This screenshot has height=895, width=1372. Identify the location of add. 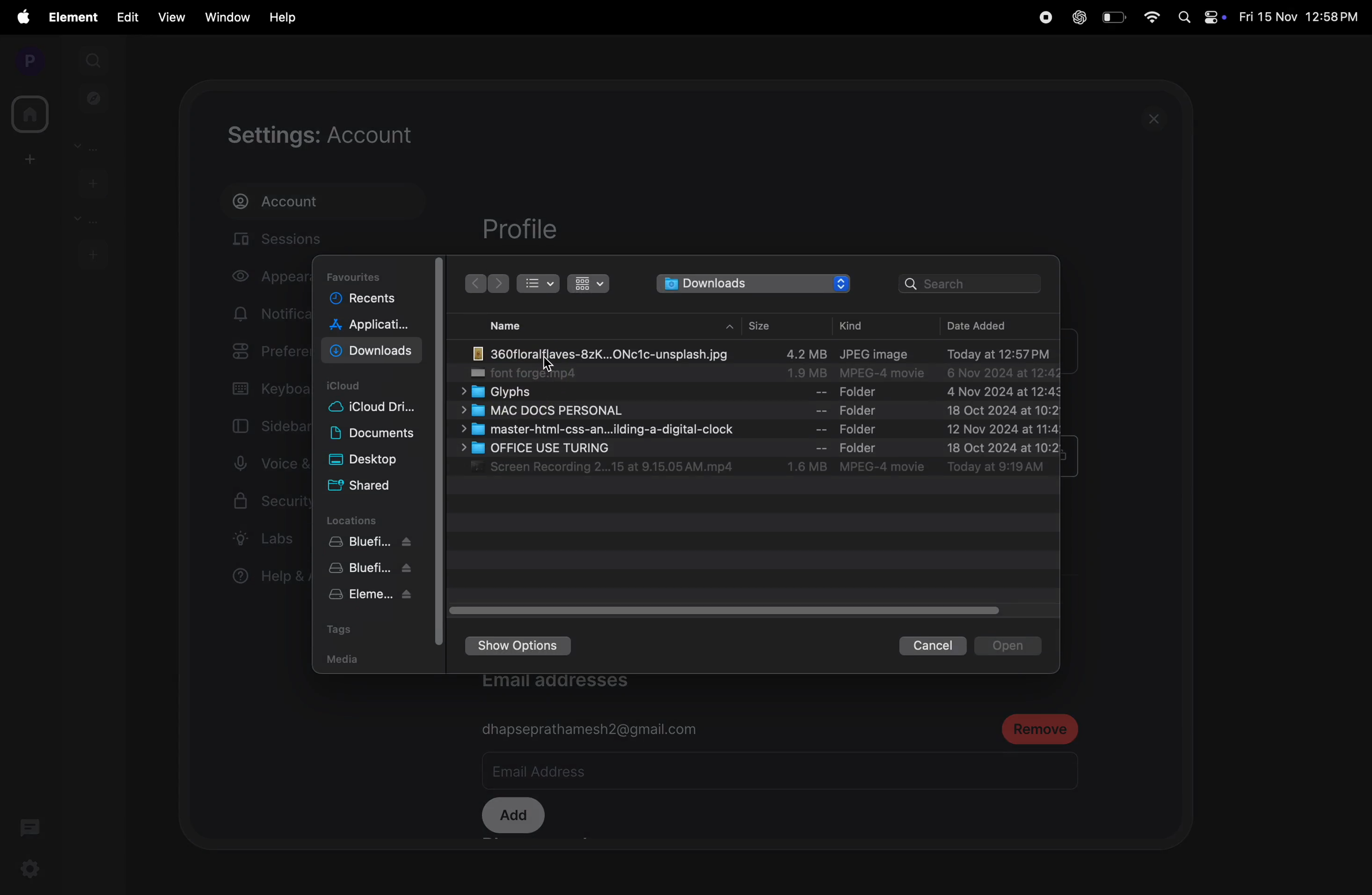
(513, 817).